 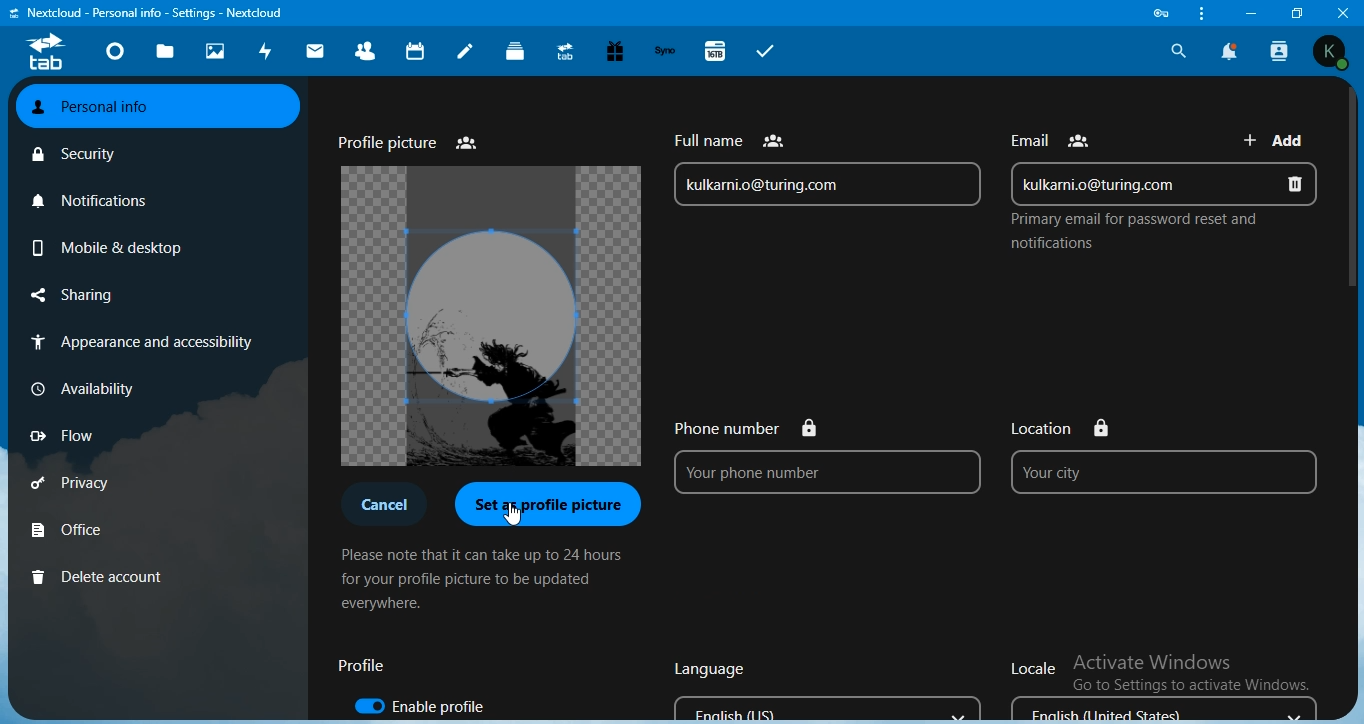 I want to click on locale, so click(x=1157, y=683).